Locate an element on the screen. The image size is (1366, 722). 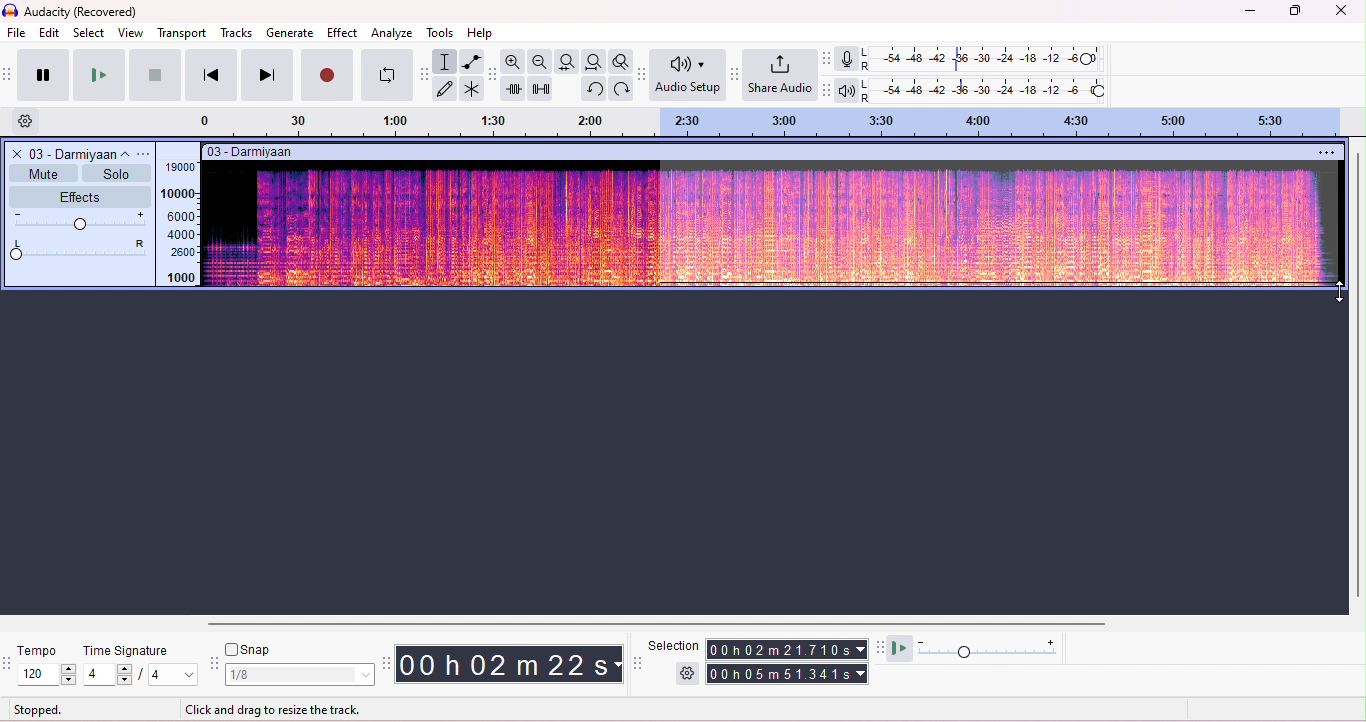
tempo is located at coordinates (39, 651).